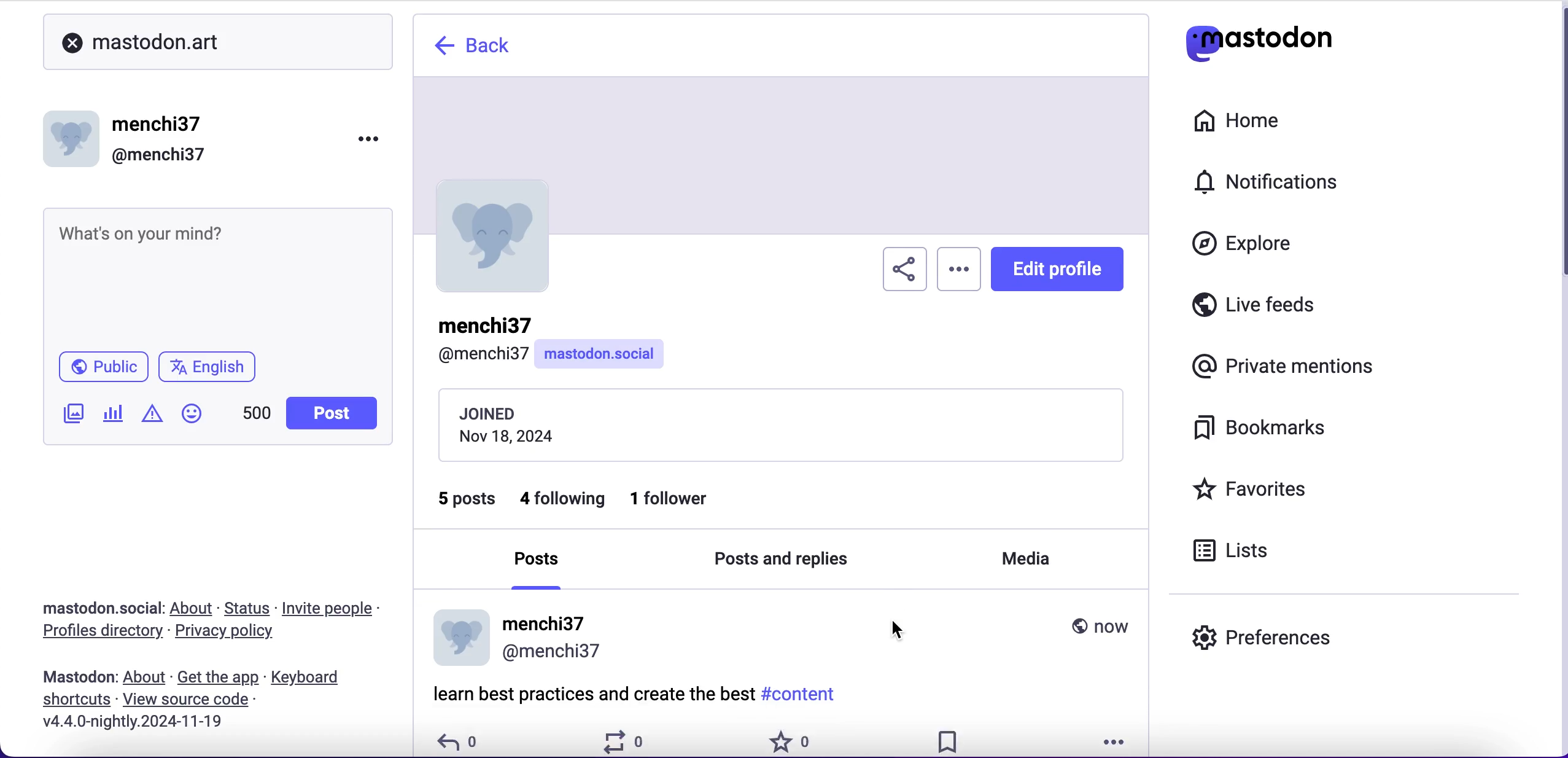  Describe the element at coordinates (589, 697) in the screenshot. I see `post` at that location.